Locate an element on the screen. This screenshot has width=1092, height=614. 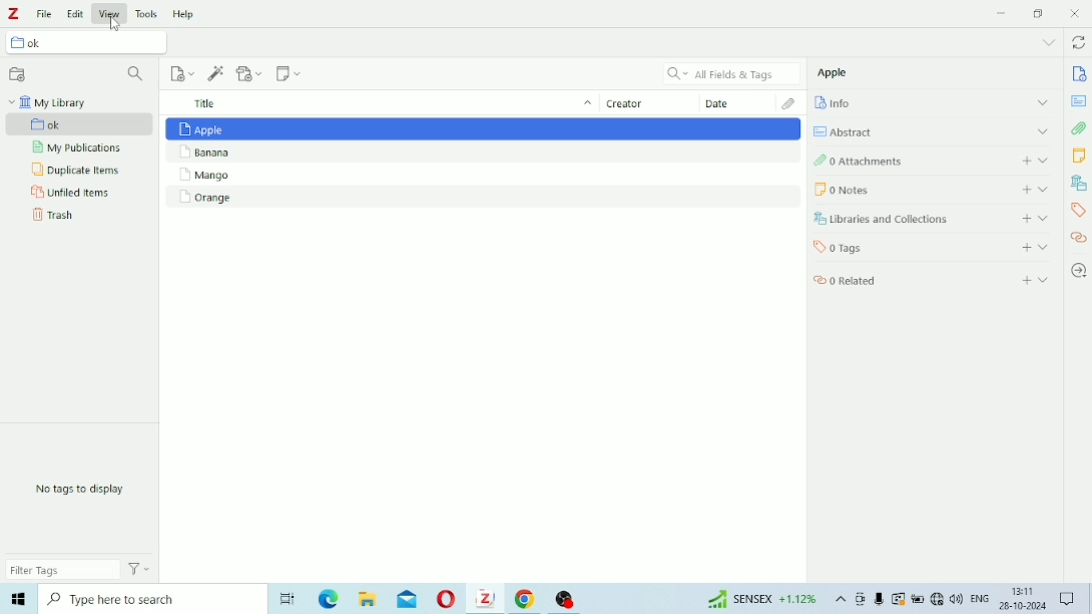
add is located at coordinates (1023, 188).